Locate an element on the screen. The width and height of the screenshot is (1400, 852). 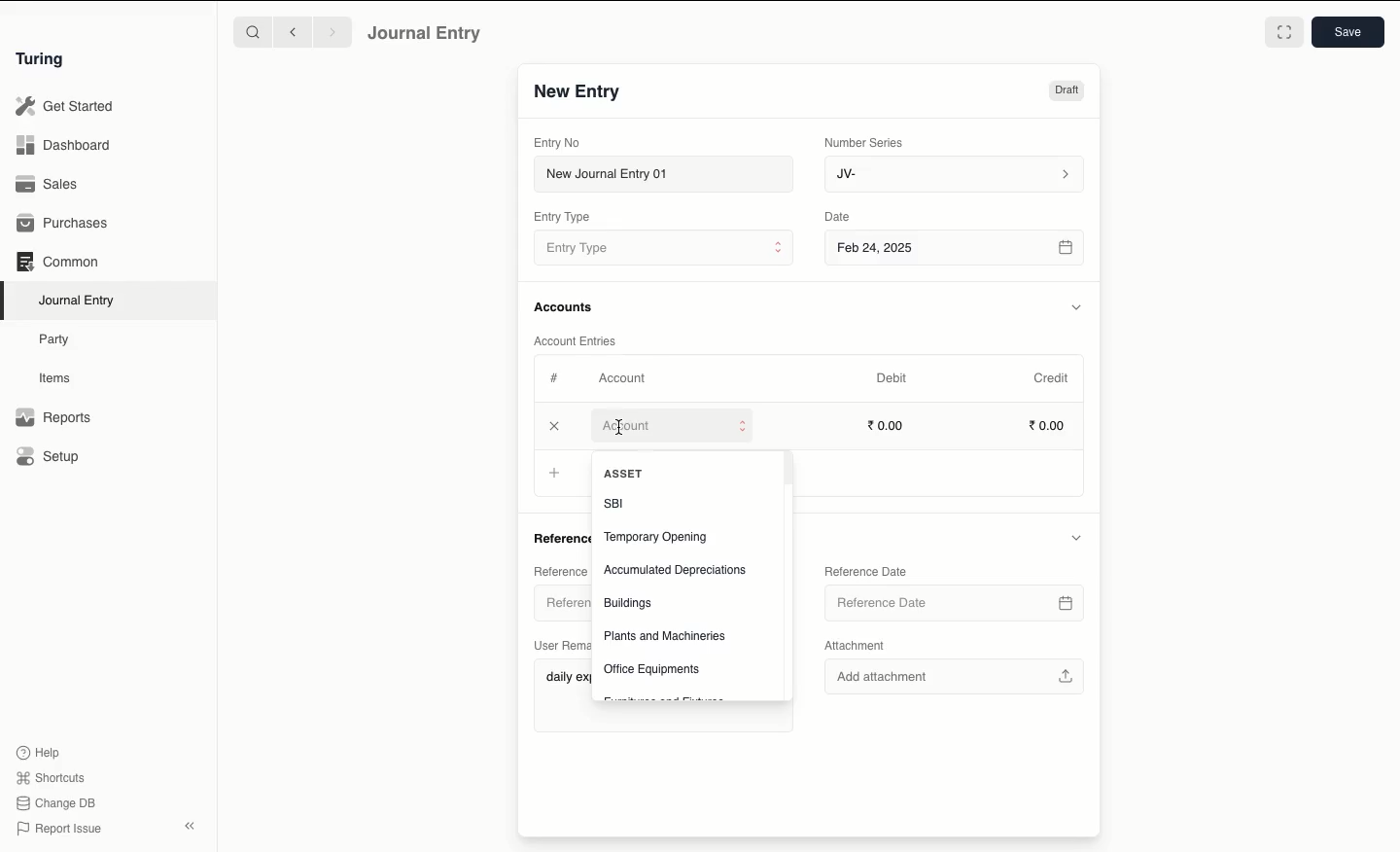
Debit is located at coordinates (892, 378).